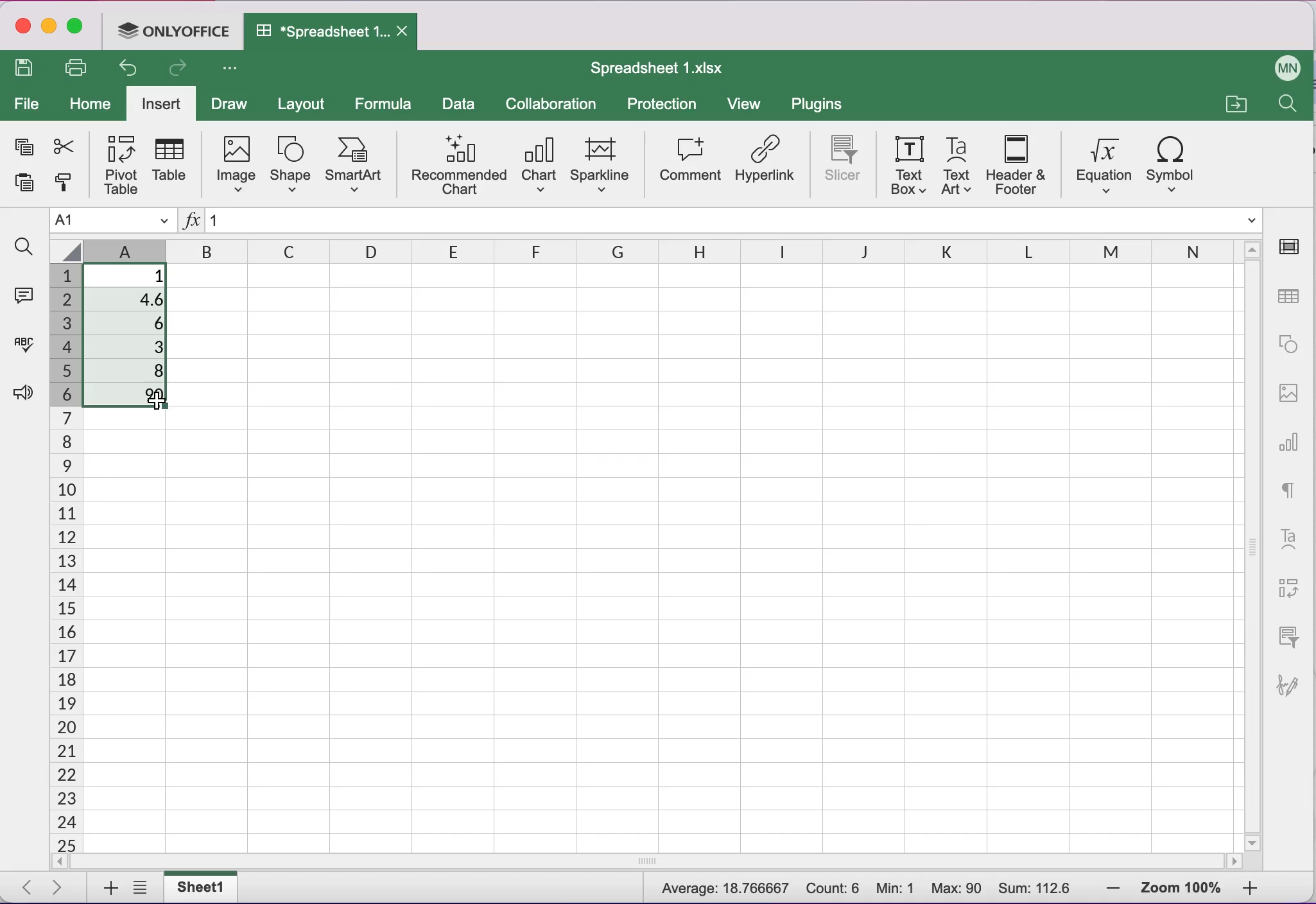 The width and height of the screenshot is (1316, 904). Describe the element at coordinates (92, 104) in the screenshot. I see `home` at that location.